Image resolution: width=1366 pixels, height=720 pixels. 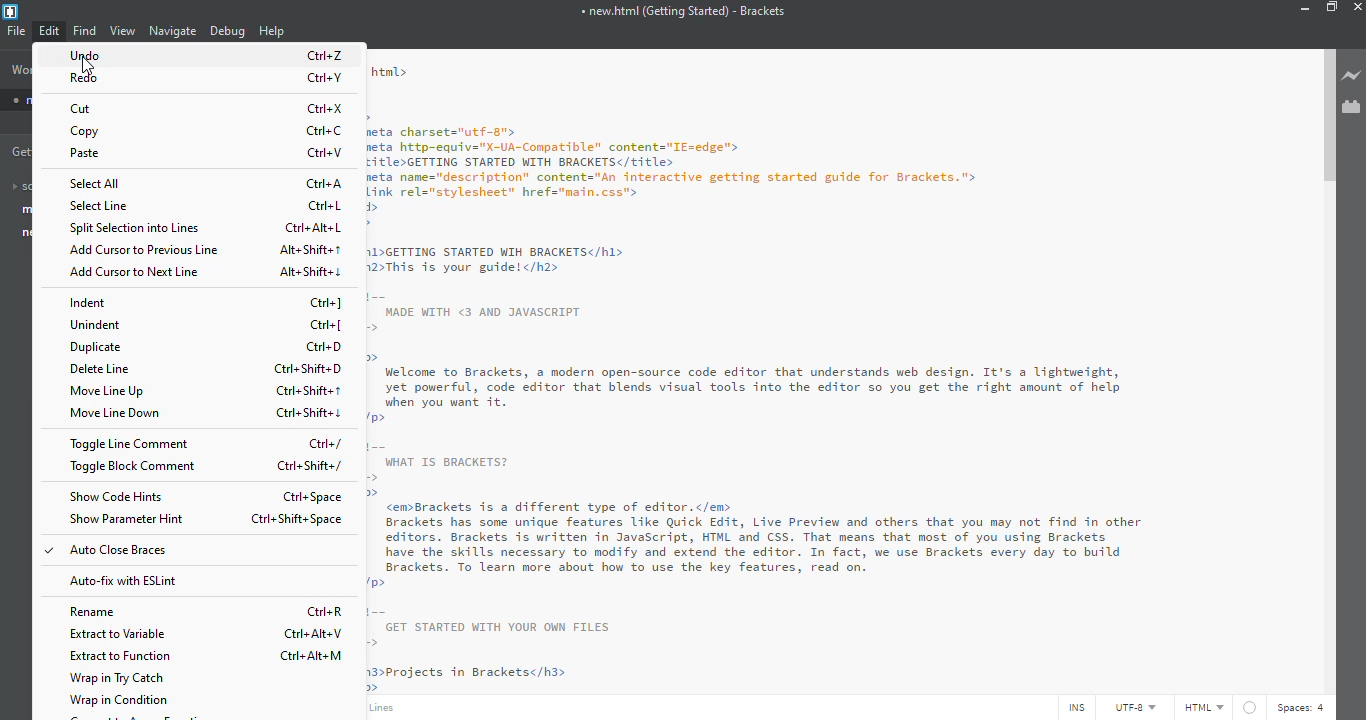 What do you see at coordinates (328, 130) in the screenshot?
I see `ctrl+c` at bounding box center [328, 130].